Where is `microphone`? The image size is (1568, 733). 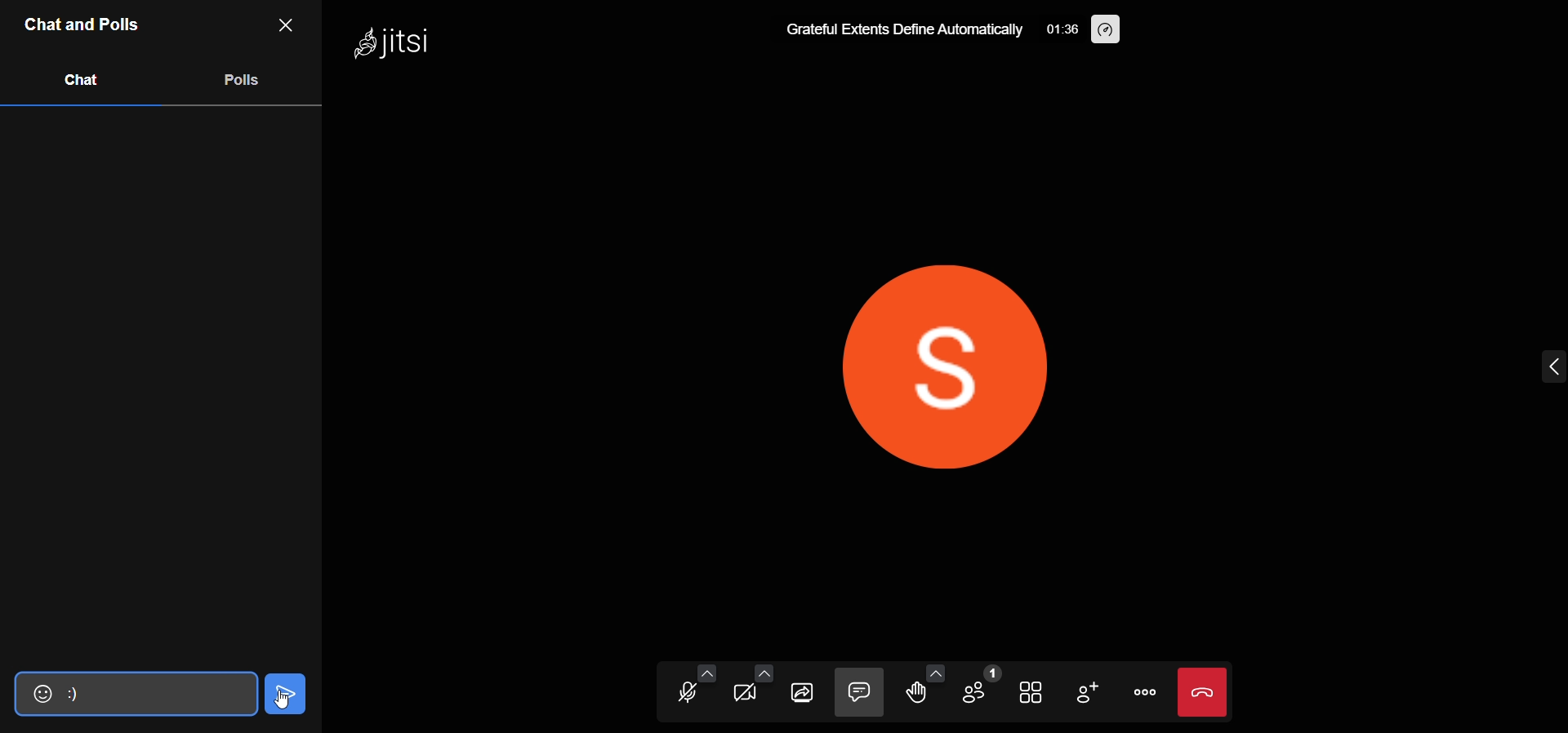
microphone is located at coordinates (690, 693).